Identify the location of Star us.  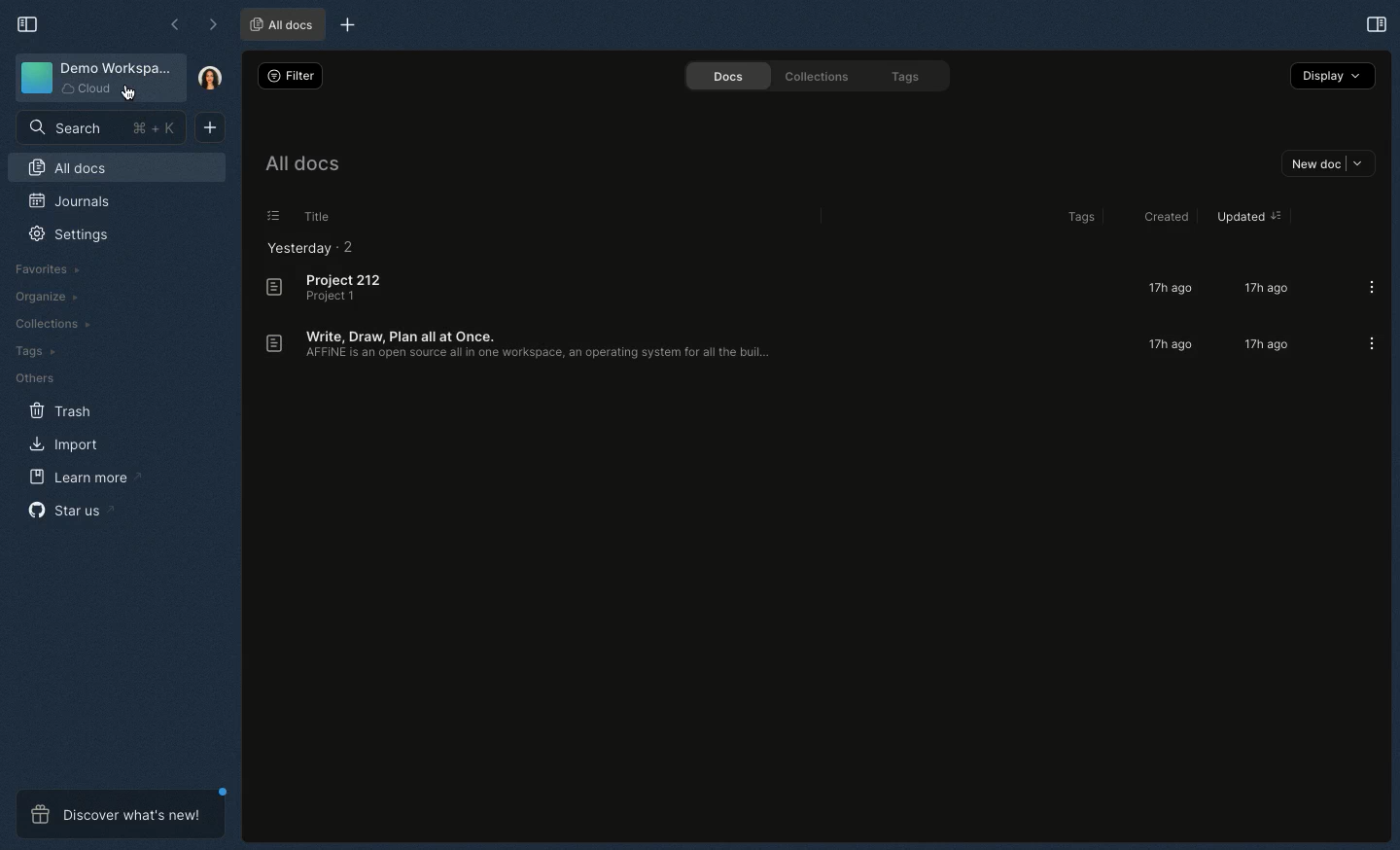
(72, 510).